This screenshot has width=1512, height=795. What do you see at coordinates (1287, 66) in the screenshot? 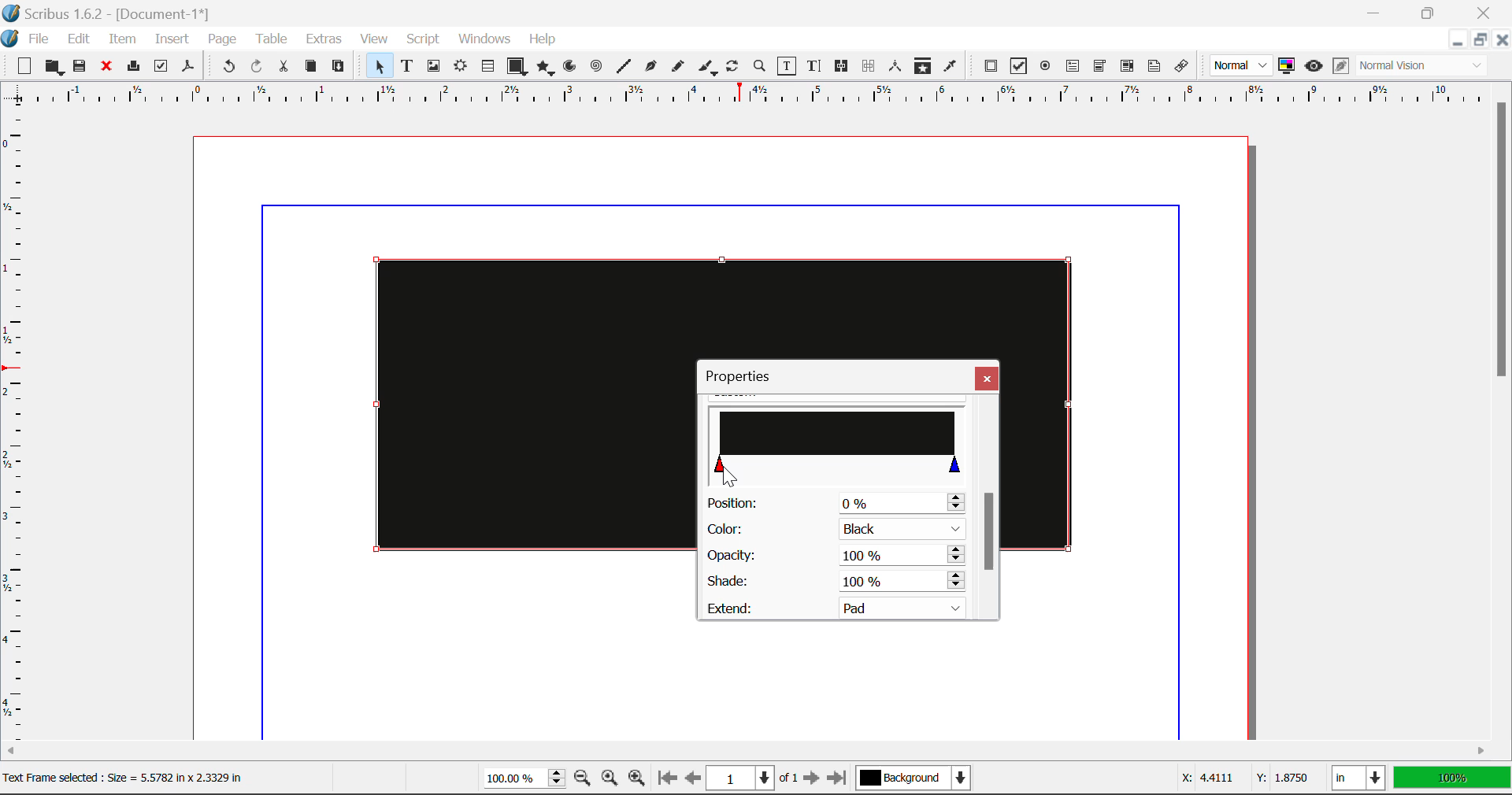
I see `Toggle Color Management` at bounding box center [1287, 66].